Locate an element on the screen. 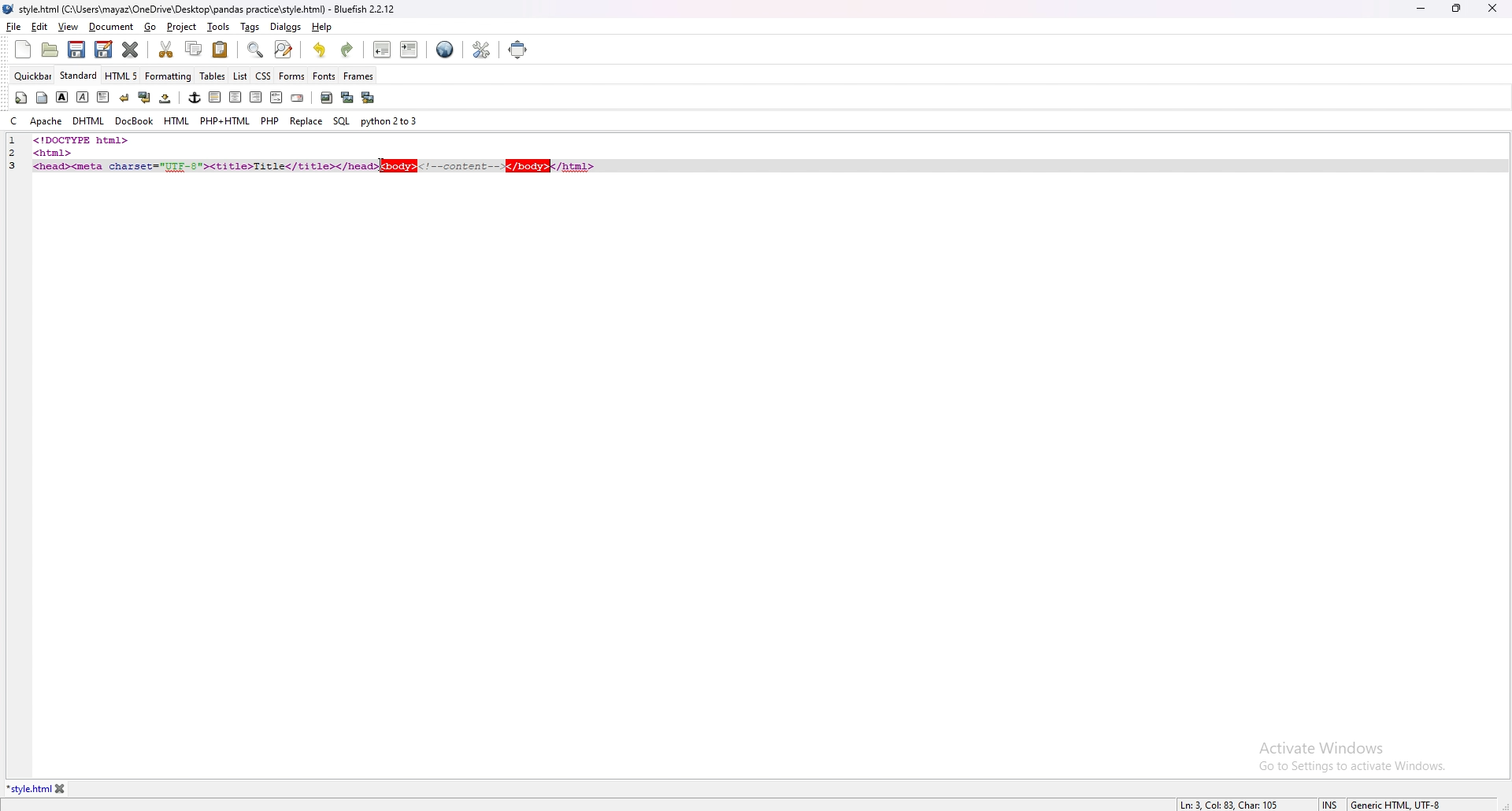 The width and height of the screenshot is (1512, 811). break and clear is located at coordinates (143, 98).